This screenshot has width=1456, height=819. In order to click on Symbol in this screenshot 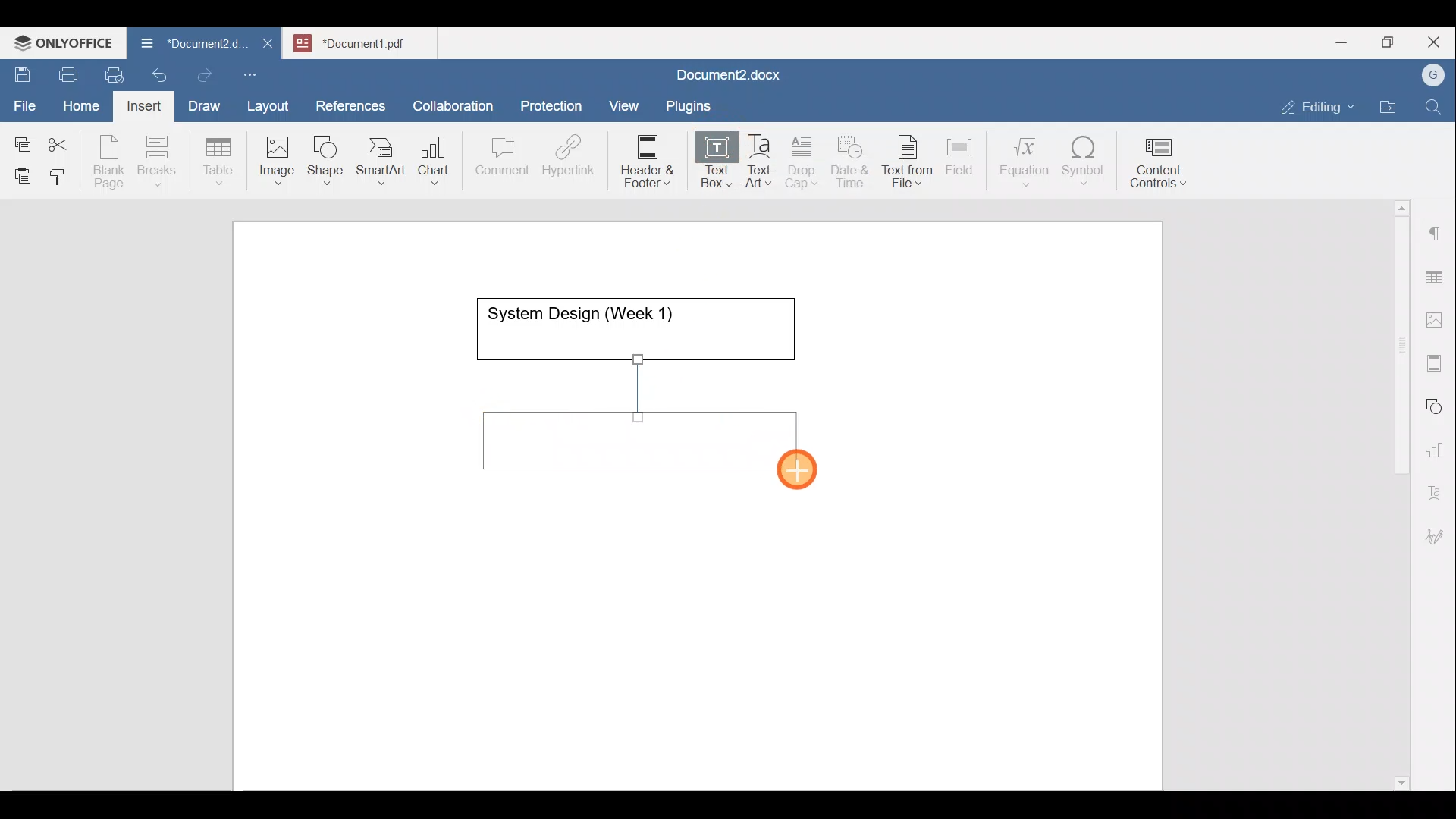, I will do `click(1084, 165)`.